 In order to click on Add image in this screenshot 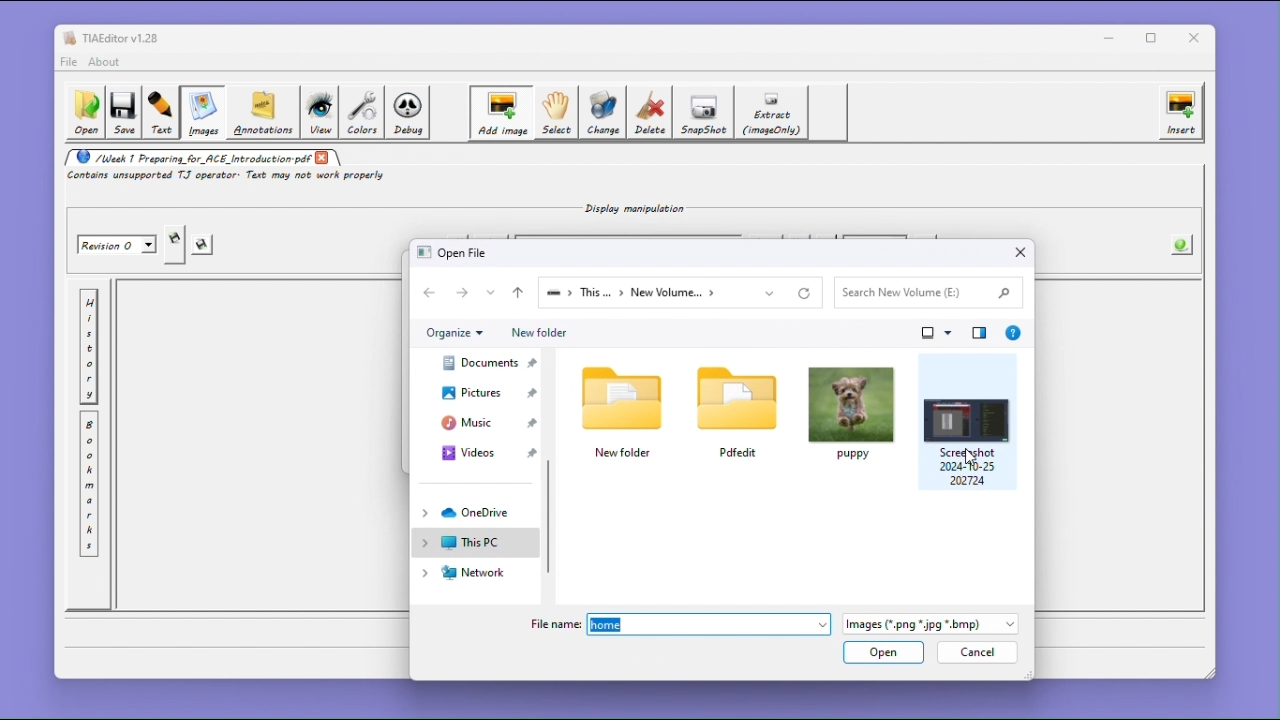, I will do `click(500, 113)`.